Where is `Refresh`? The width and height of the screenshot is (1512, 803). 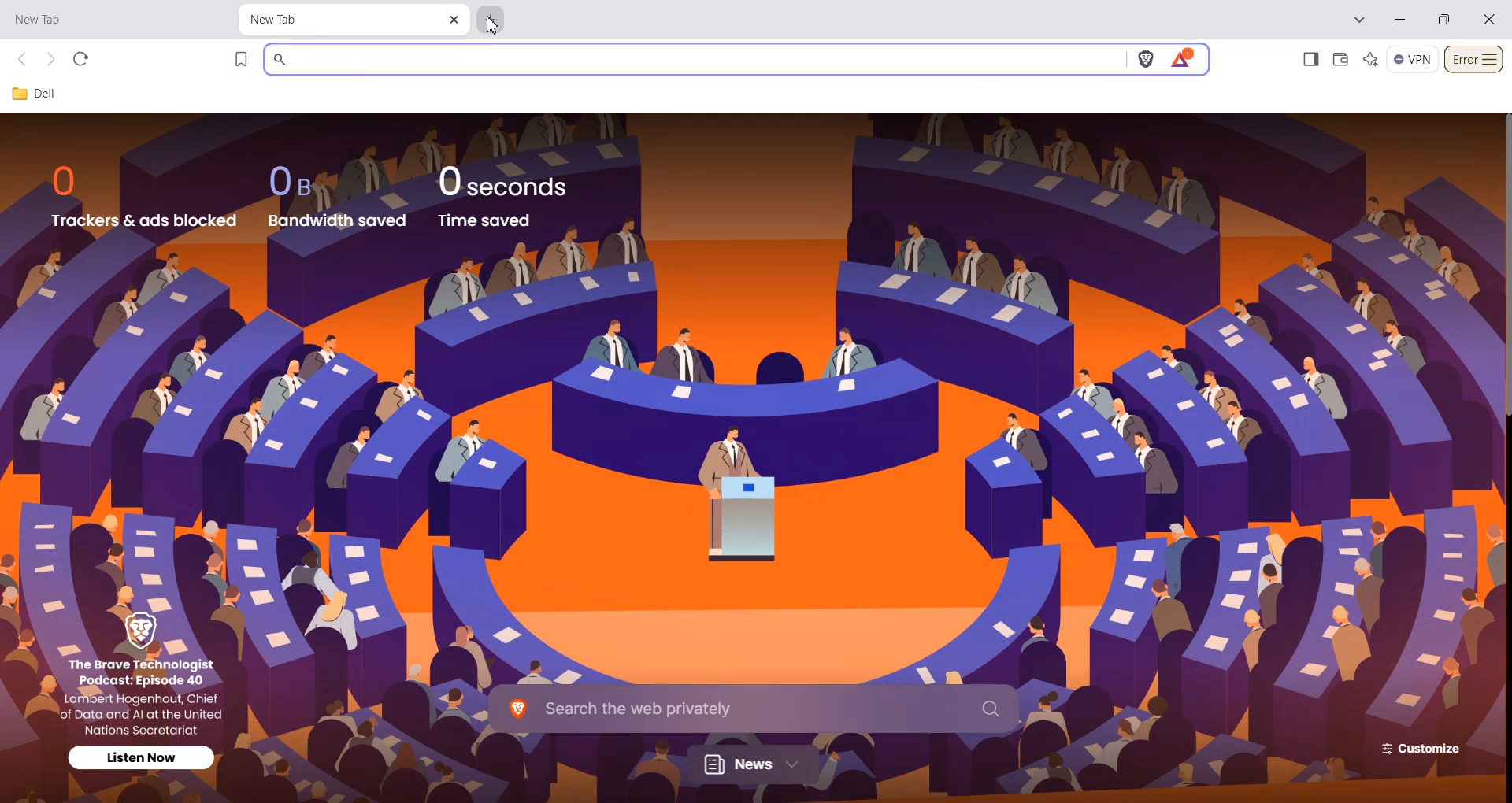 Refresh is located at coordinates (80, 59).